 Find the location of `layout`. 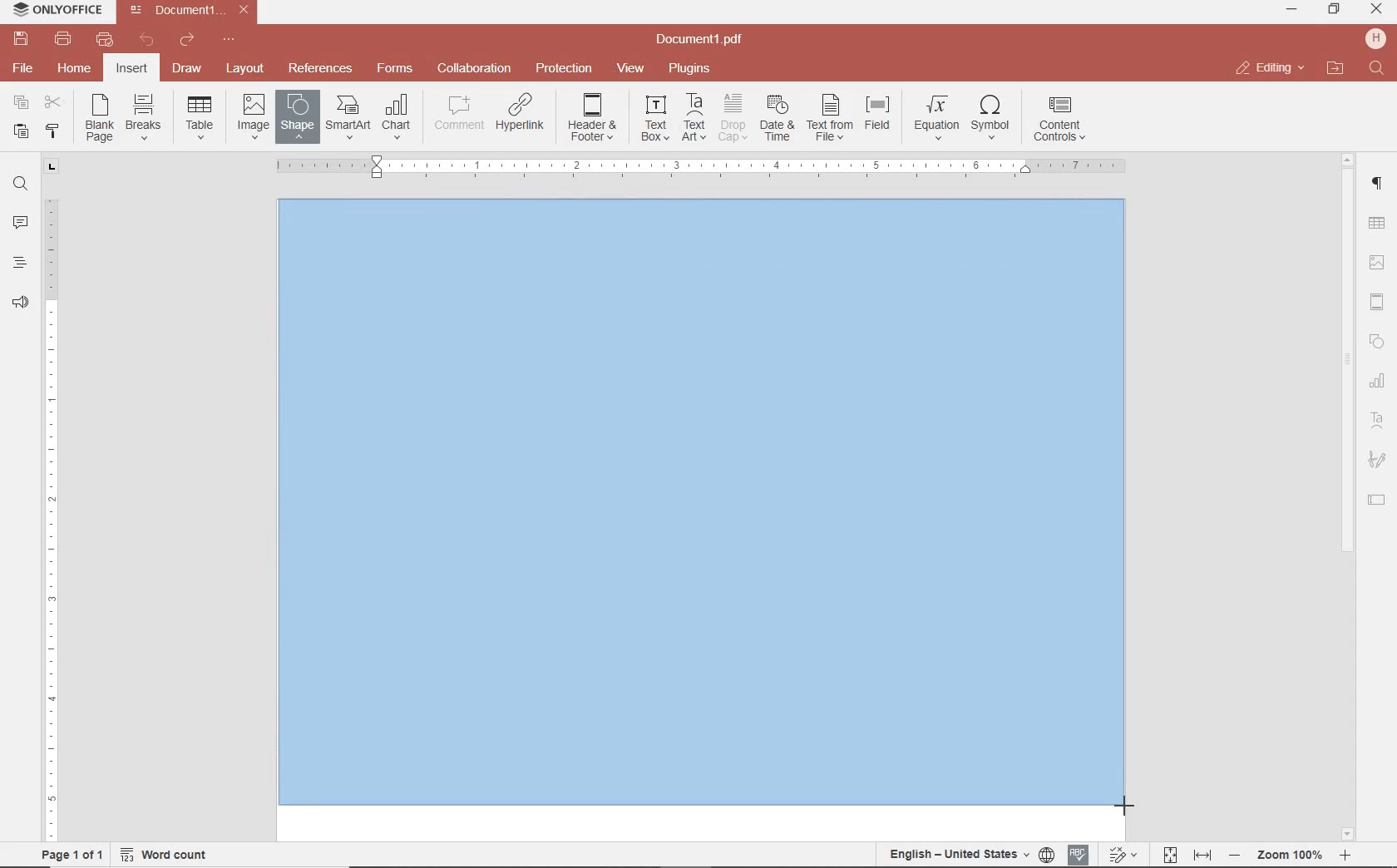

layout is located at coordinates (248, 70).